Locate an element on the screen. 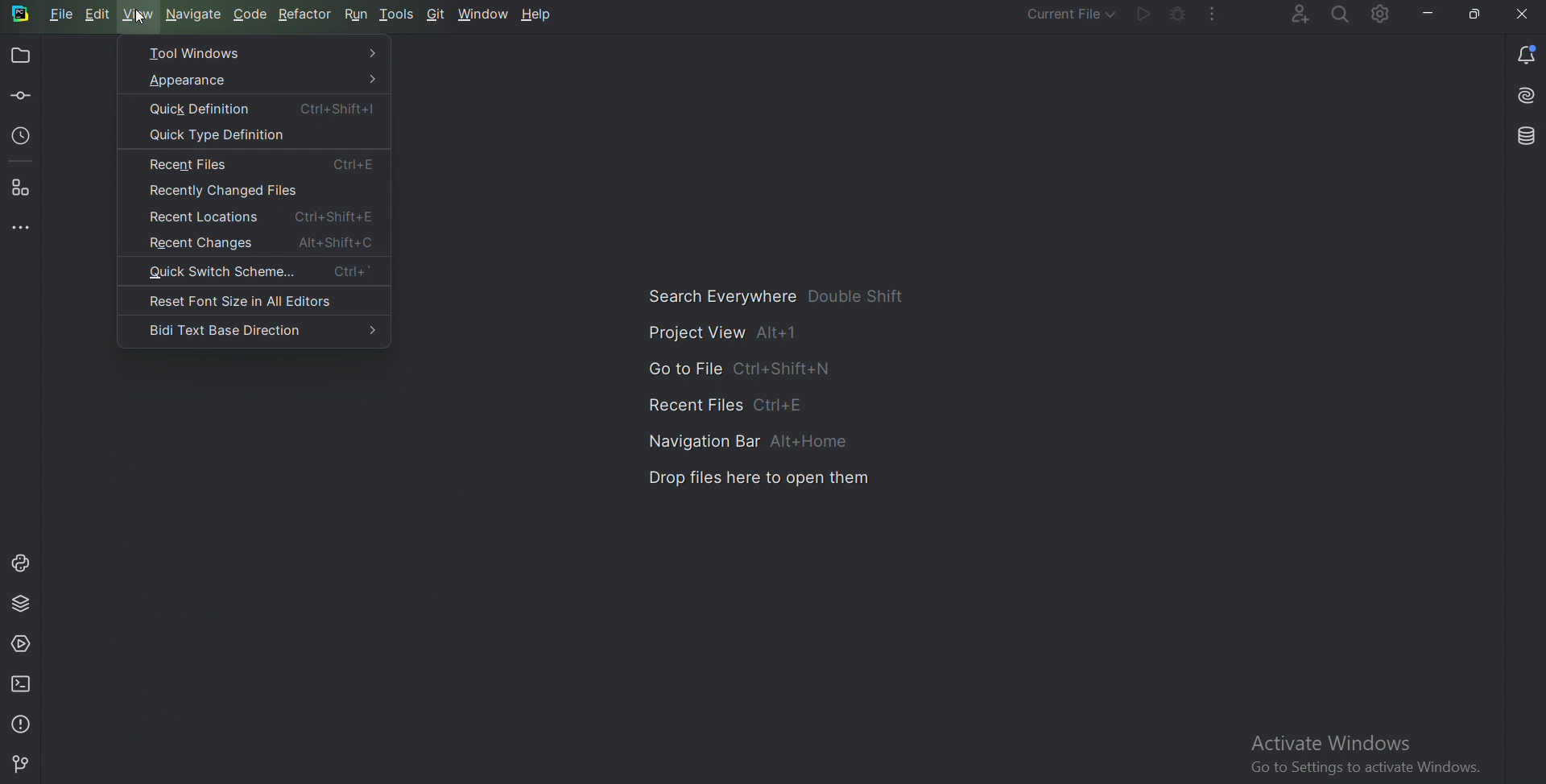  Restore down is located at coordinates (1476, 15).